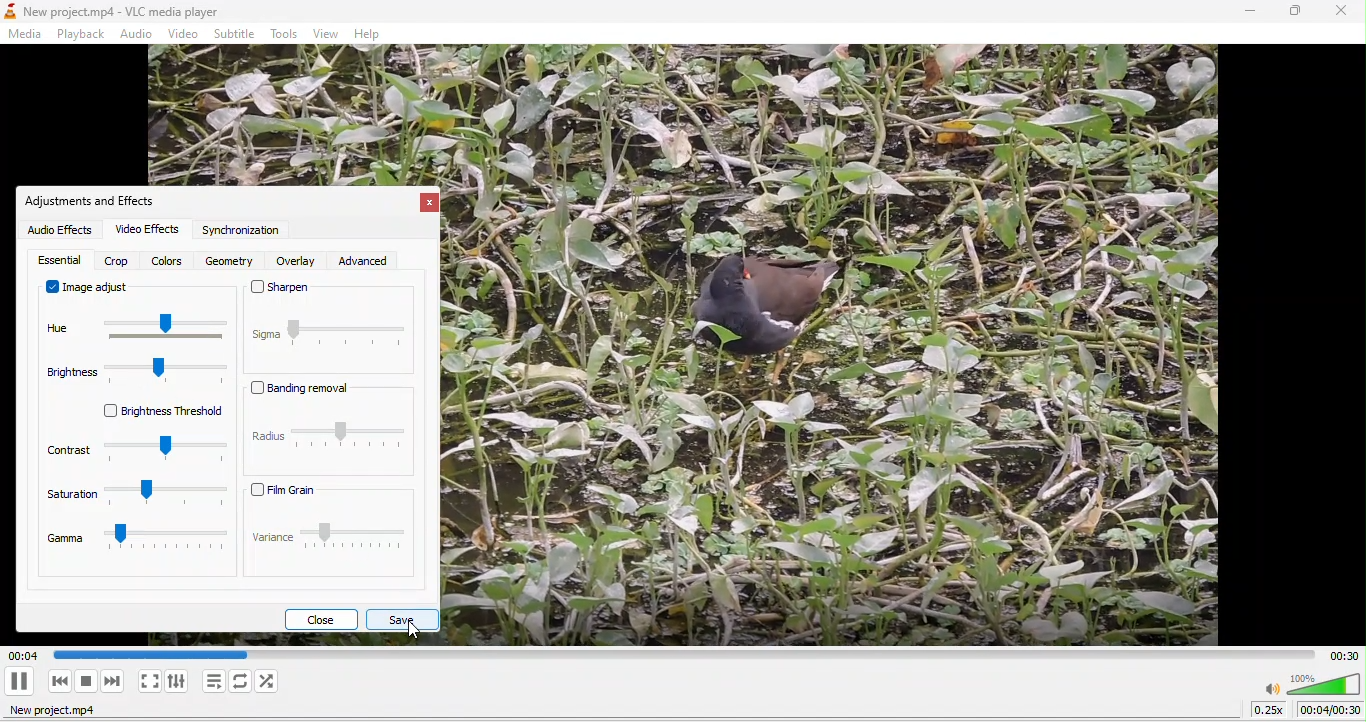 The height and width of the screenshot is (722, 1366). I want to click on 00.04, so click(139, 655).